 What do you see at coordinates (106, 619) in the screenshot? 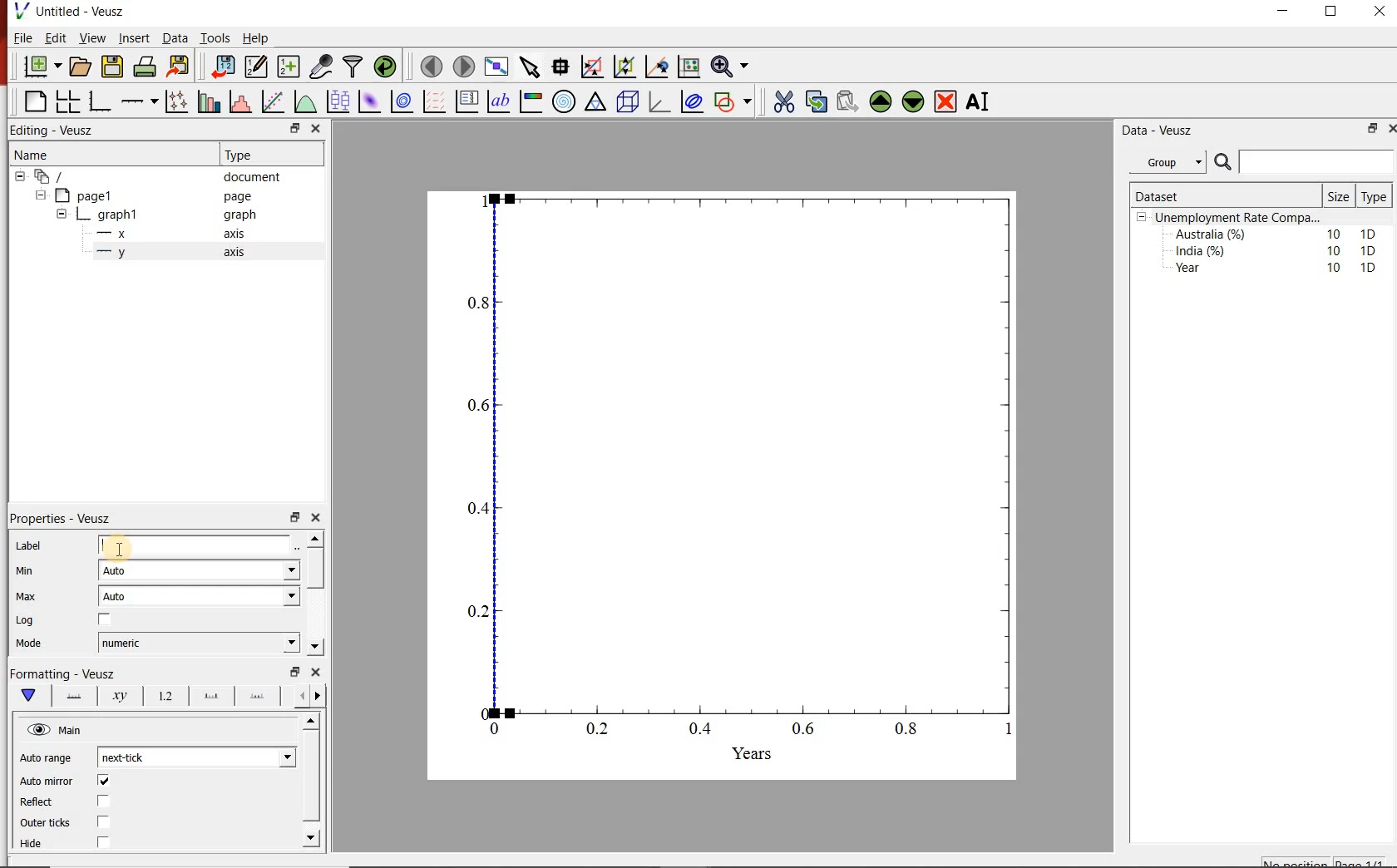
I see `checkbox` at bounding box center [106, 619].